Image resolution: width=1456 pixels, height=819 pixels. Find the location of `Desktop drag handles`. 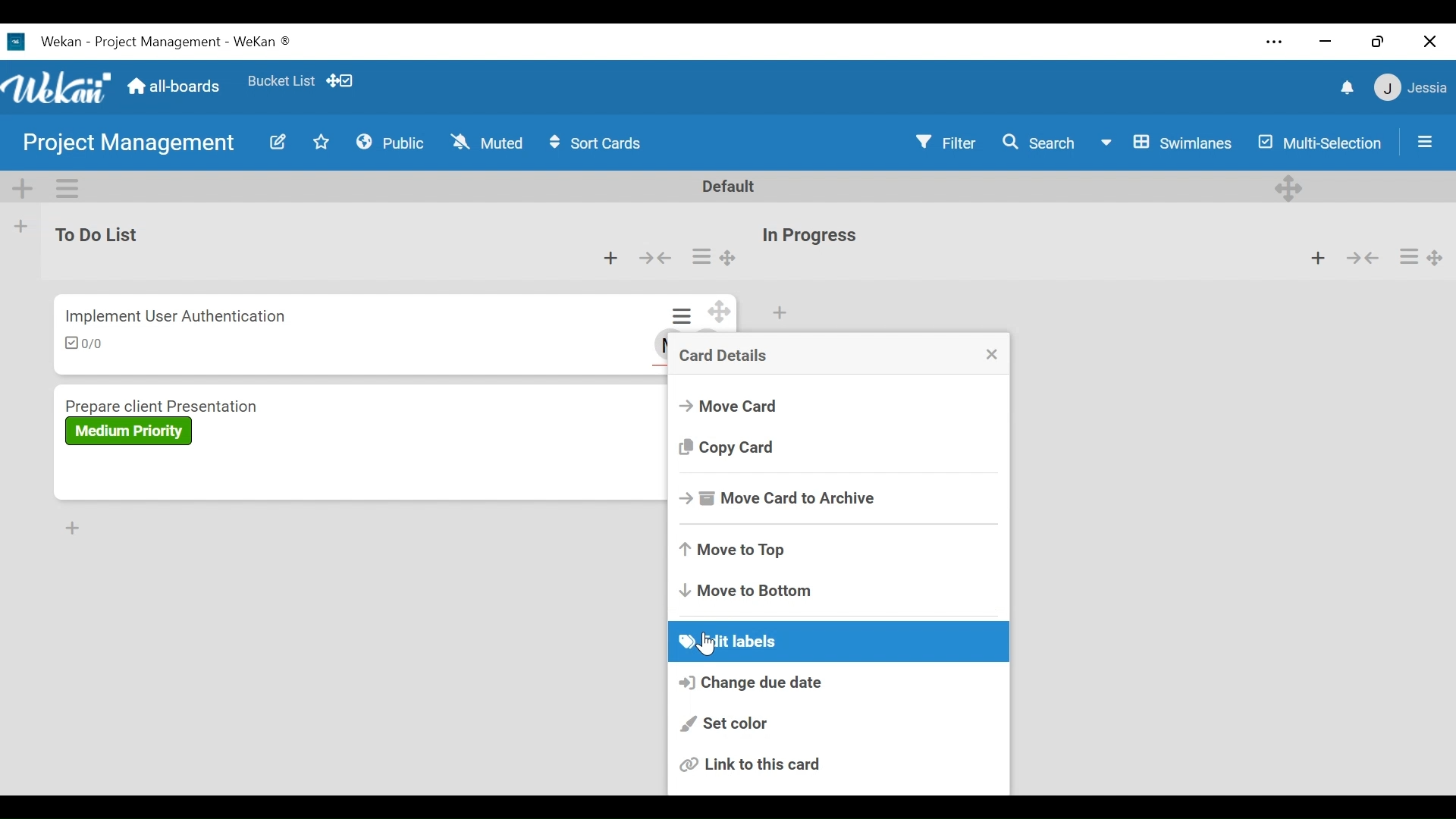

Desktop drag handles is located at coordinates (1439, 257).